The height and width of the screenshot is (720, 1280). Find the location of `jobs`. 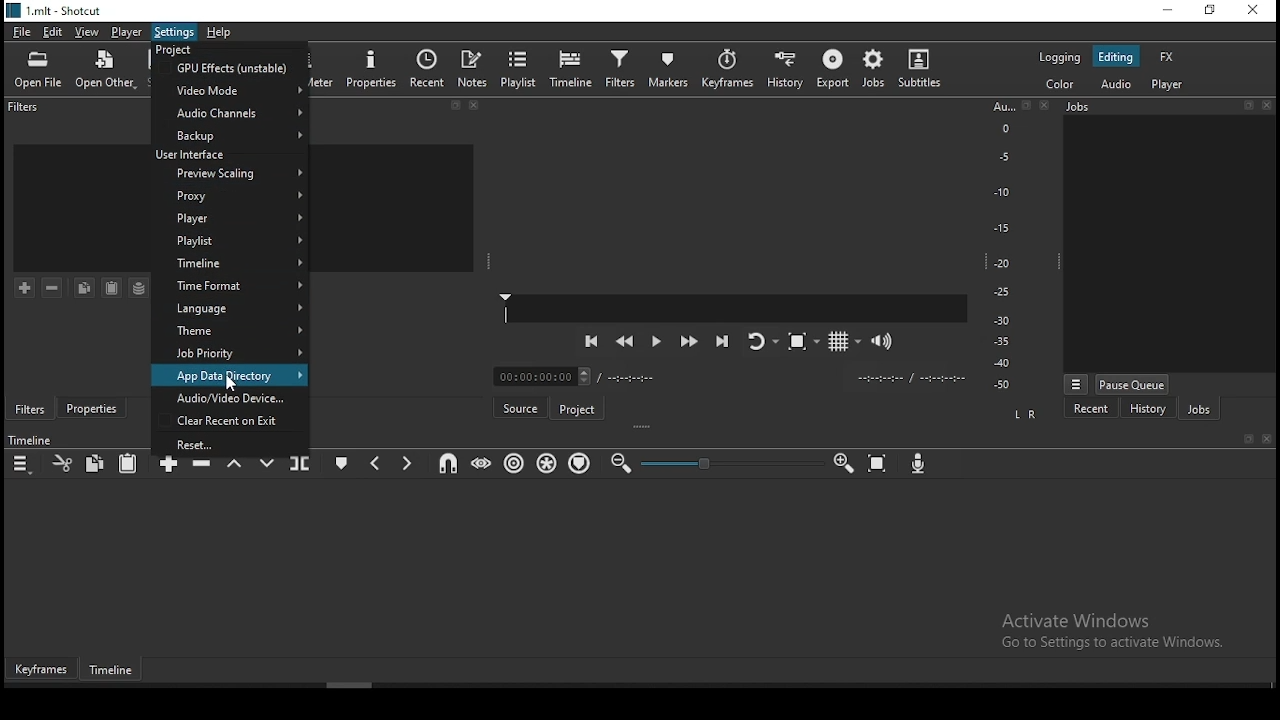

jobs is located at coordinates (872, 69).